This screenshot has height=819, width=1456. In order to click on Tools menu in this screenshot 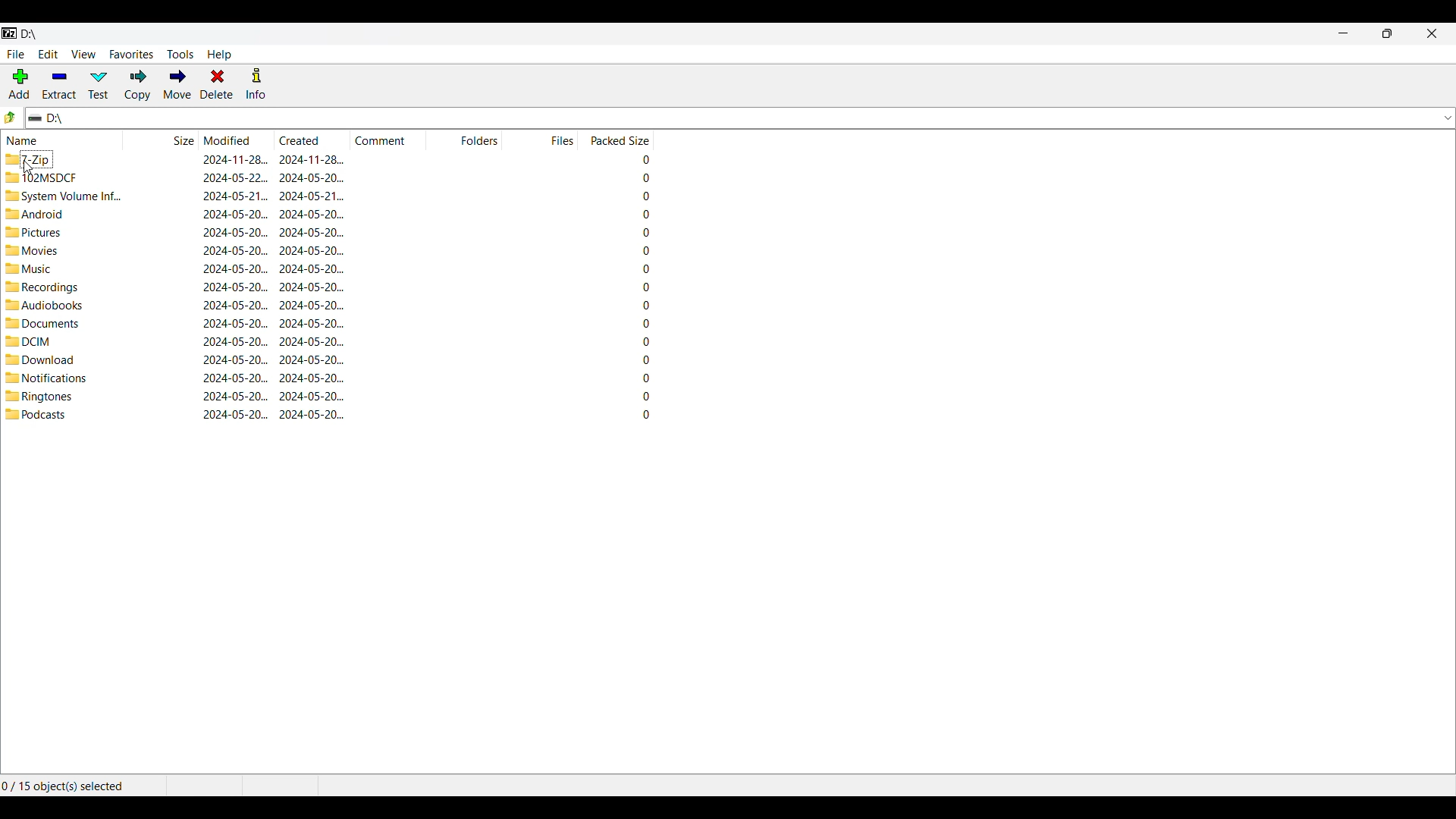, I will do `click(180, 55)`.